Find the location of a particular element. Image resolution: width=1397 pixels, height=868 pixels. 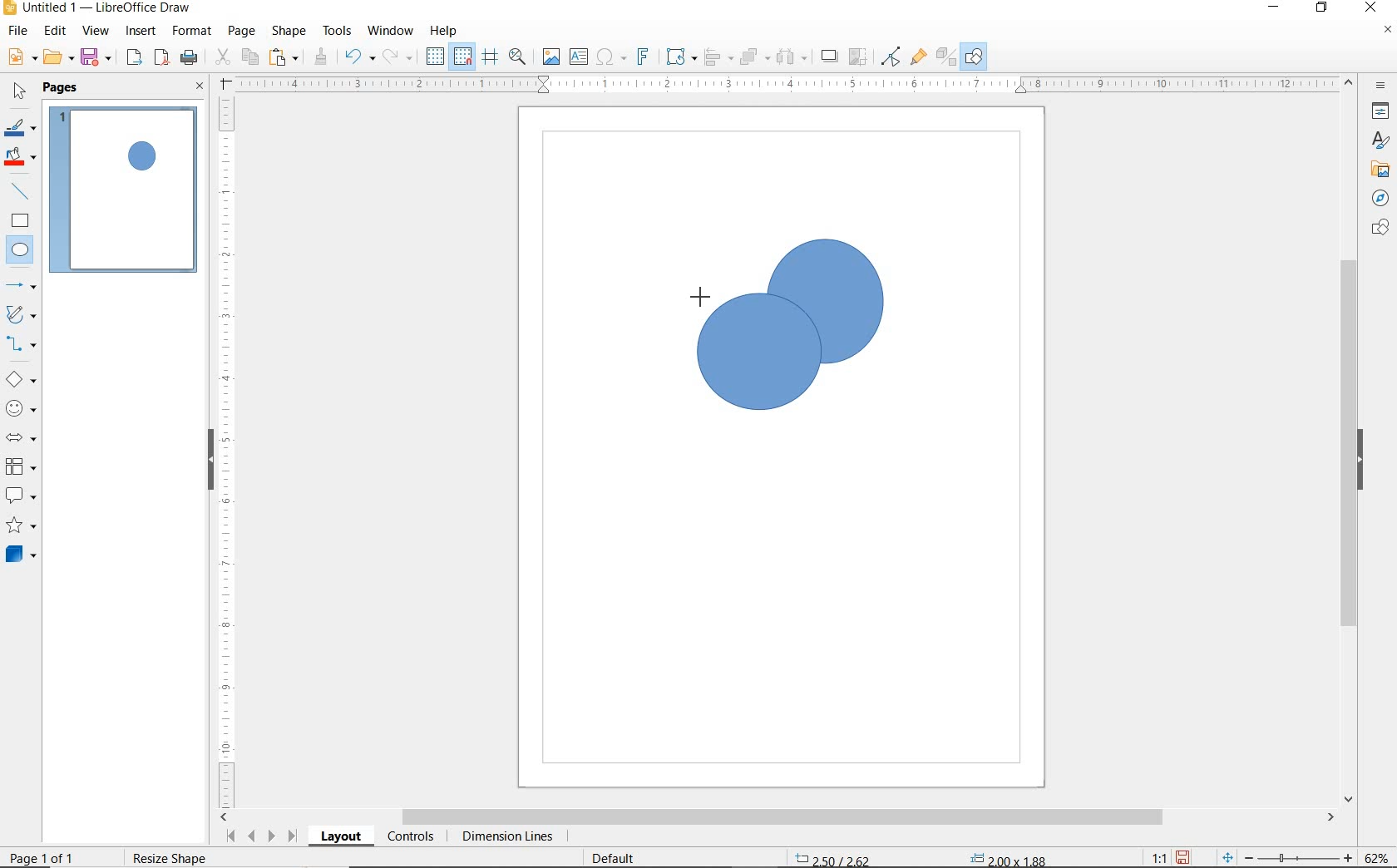

HIDE is located at coordinates (1365, 460).